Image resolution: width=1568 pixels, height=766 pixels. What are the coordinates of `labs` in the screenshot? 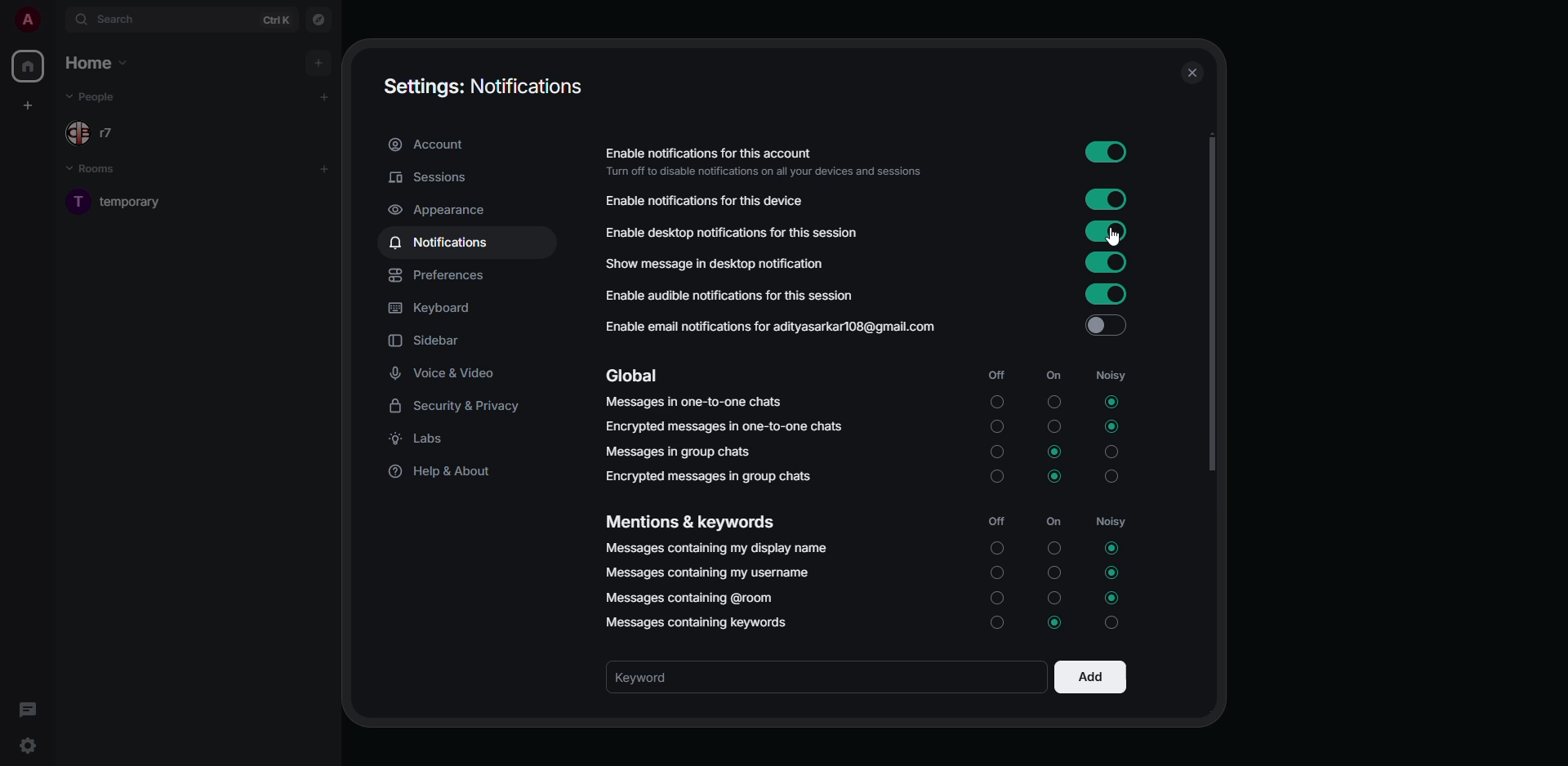 It's located at (425, 439).